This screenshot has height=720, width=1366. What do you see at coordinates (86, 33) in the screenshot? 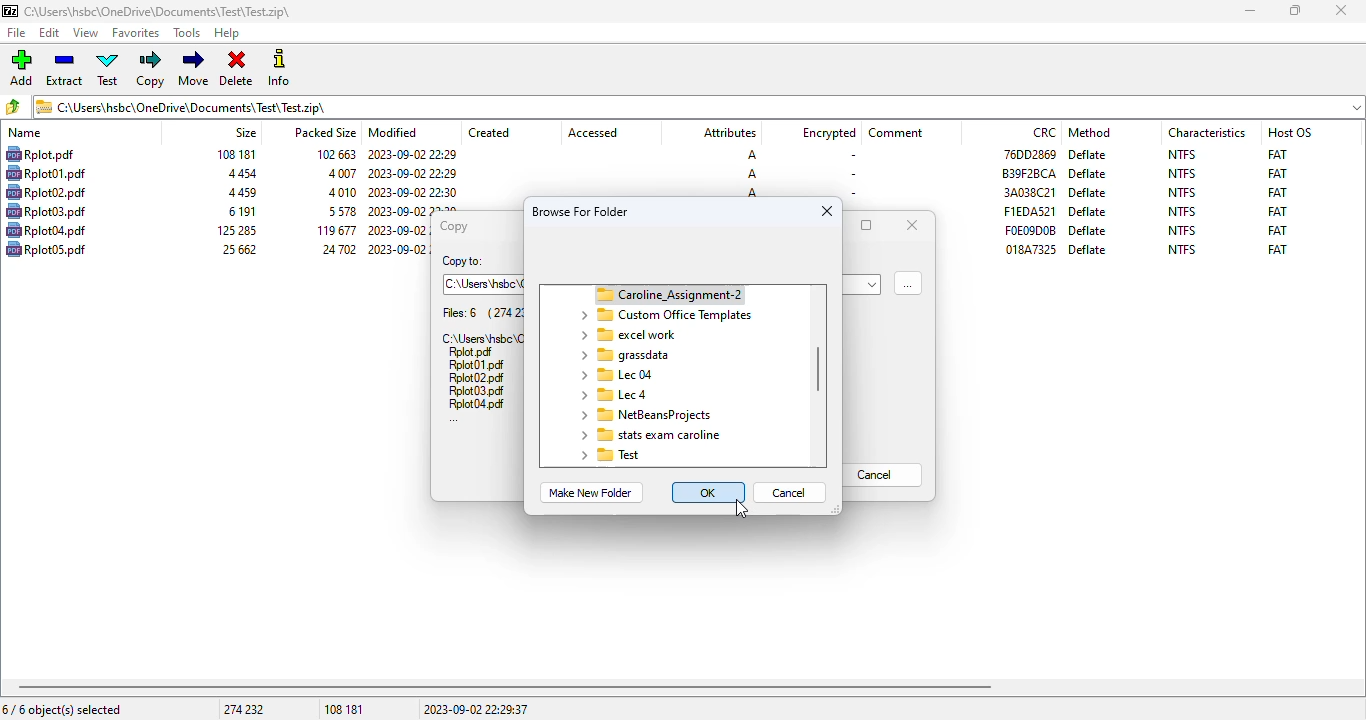
I see `view` at bounding box center [86, 33].